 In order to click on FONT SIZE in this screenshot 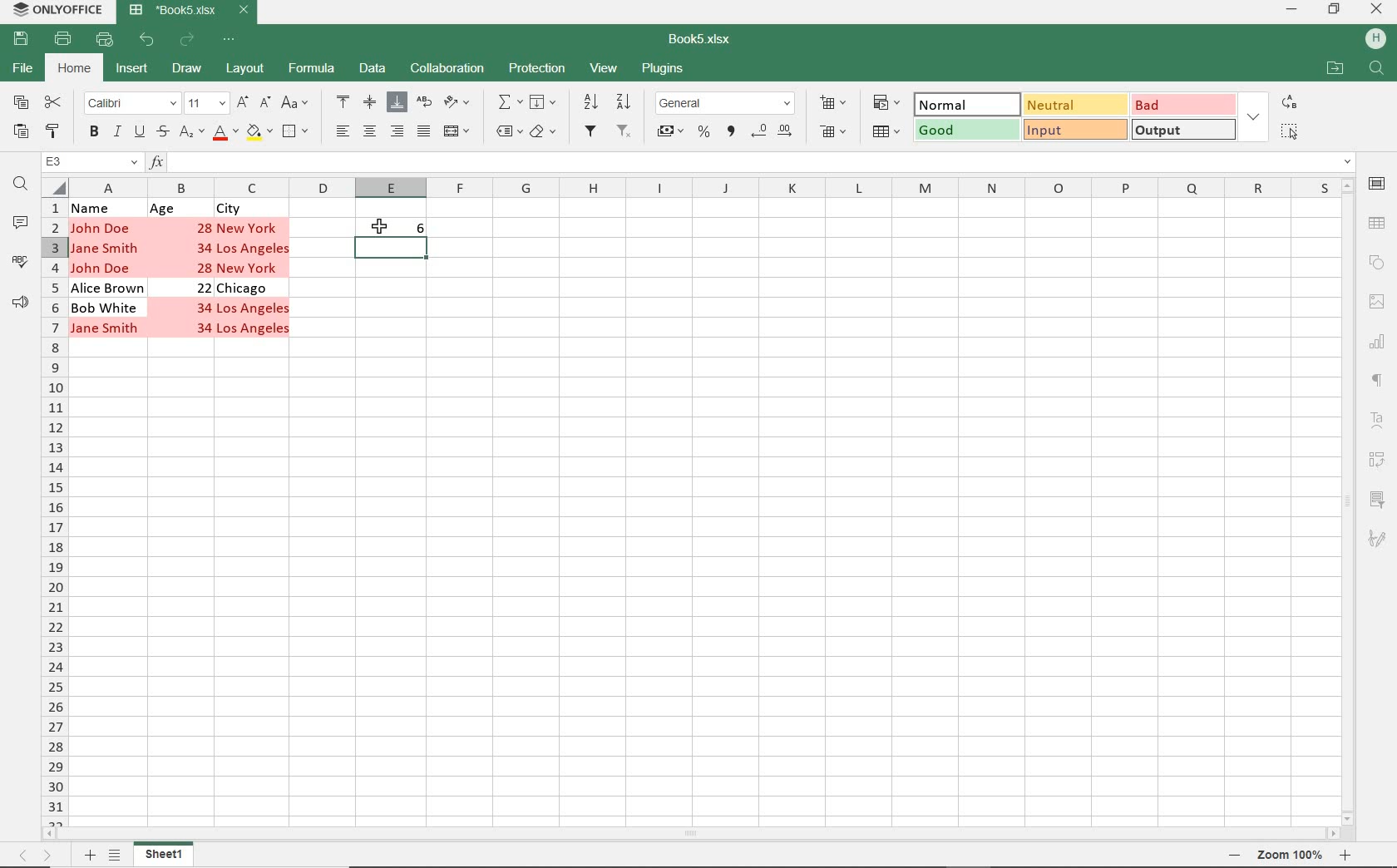, I will do `click(206, 104)`.